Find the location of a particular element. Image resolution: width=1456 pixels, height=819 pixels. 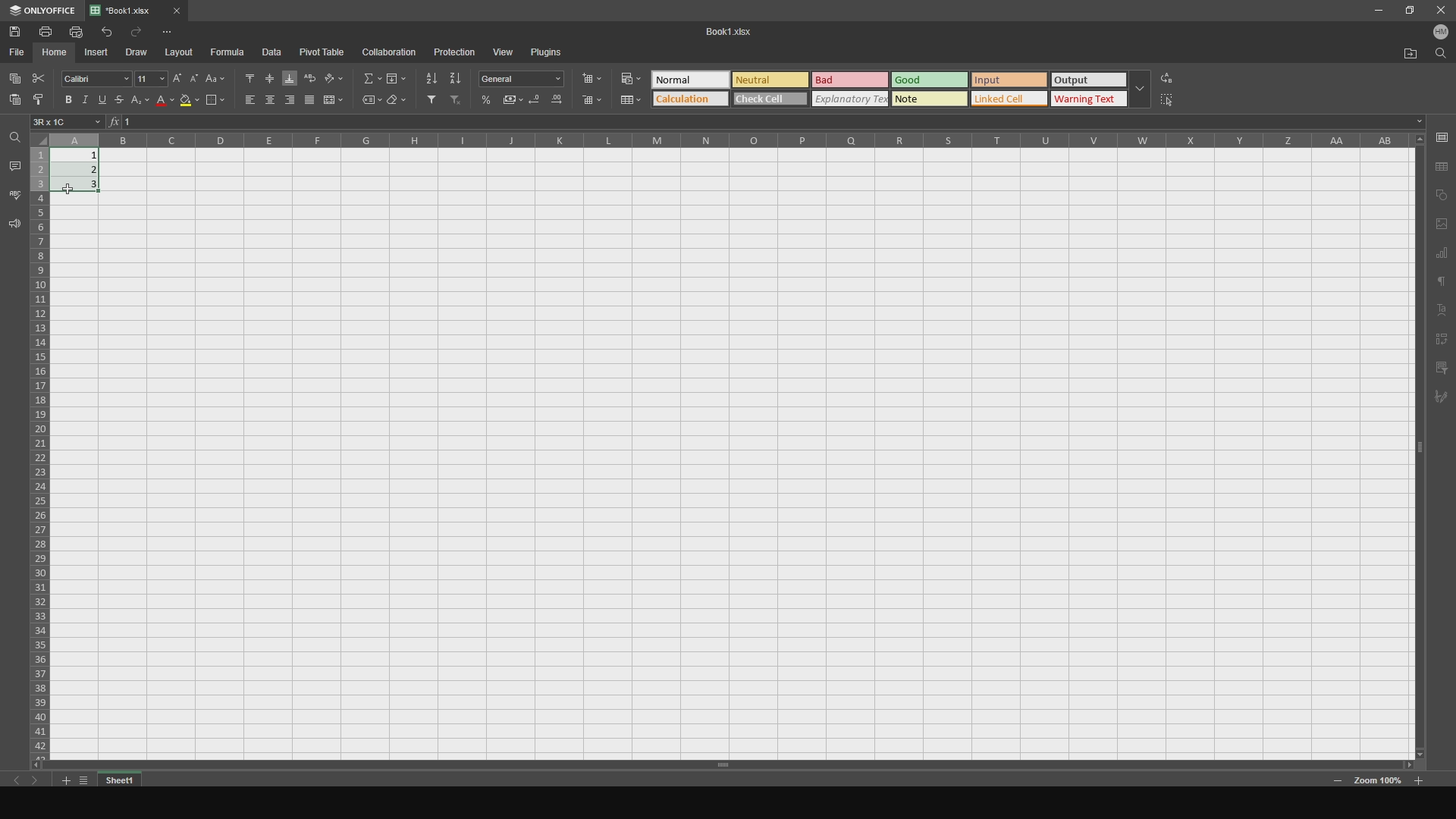

select all is located at coordinates (1176, 101).